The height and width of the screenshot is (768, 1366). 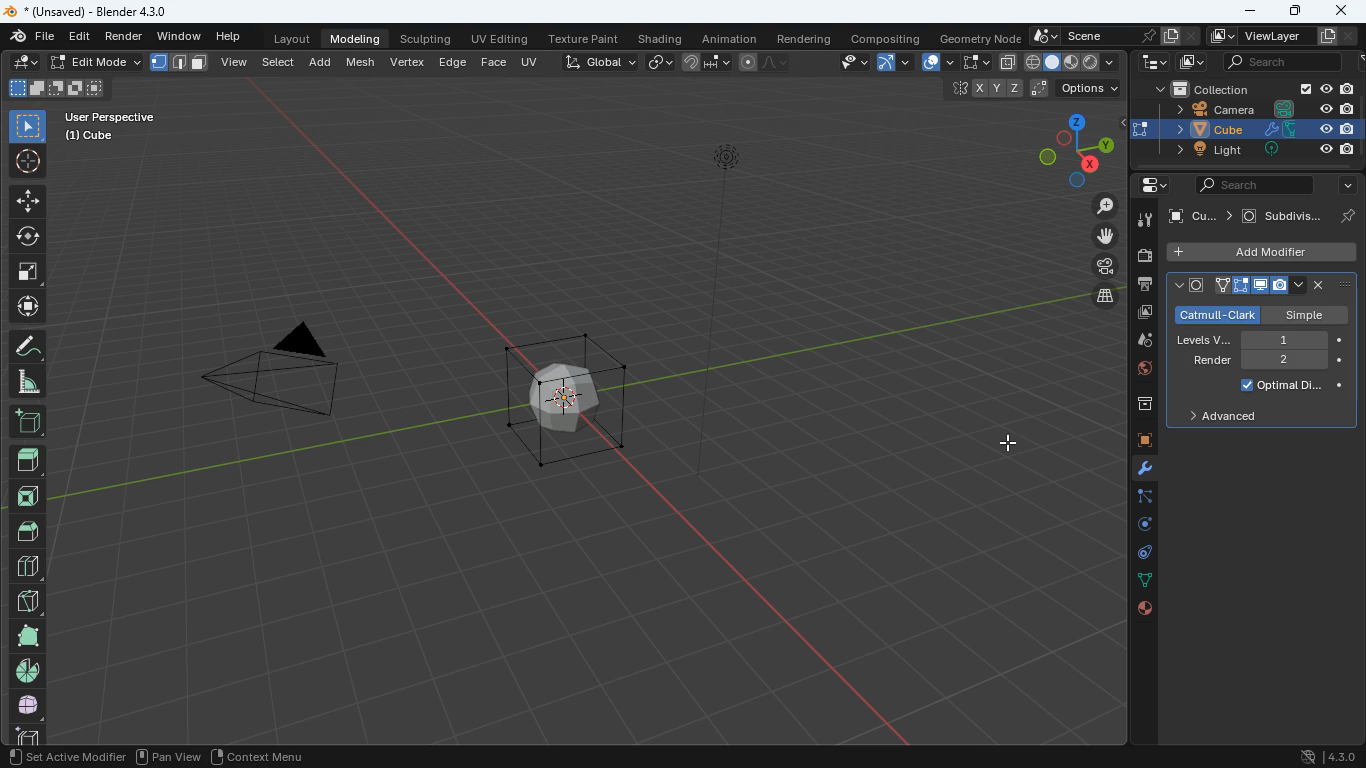 I want to click on advanced, so click(x=1224, y=418).